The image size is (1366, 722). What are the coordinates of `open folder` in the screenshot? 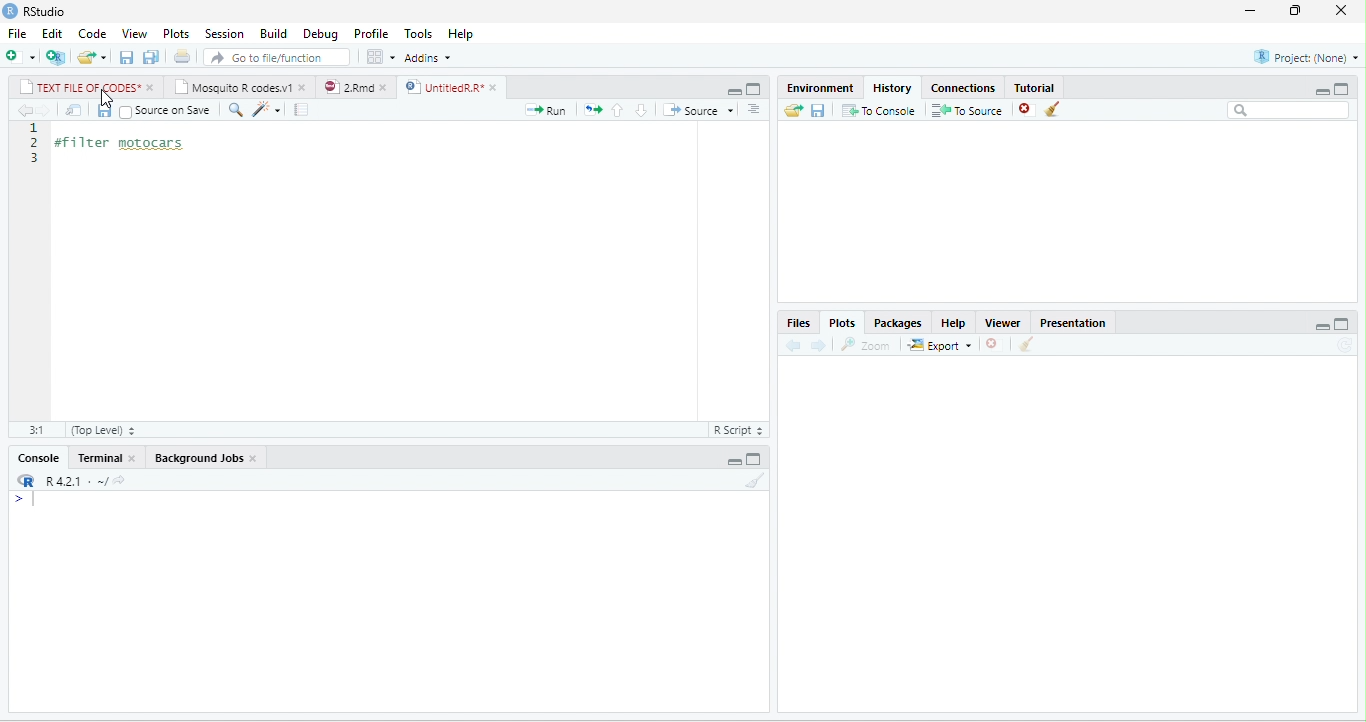 It's located at (793, 110).